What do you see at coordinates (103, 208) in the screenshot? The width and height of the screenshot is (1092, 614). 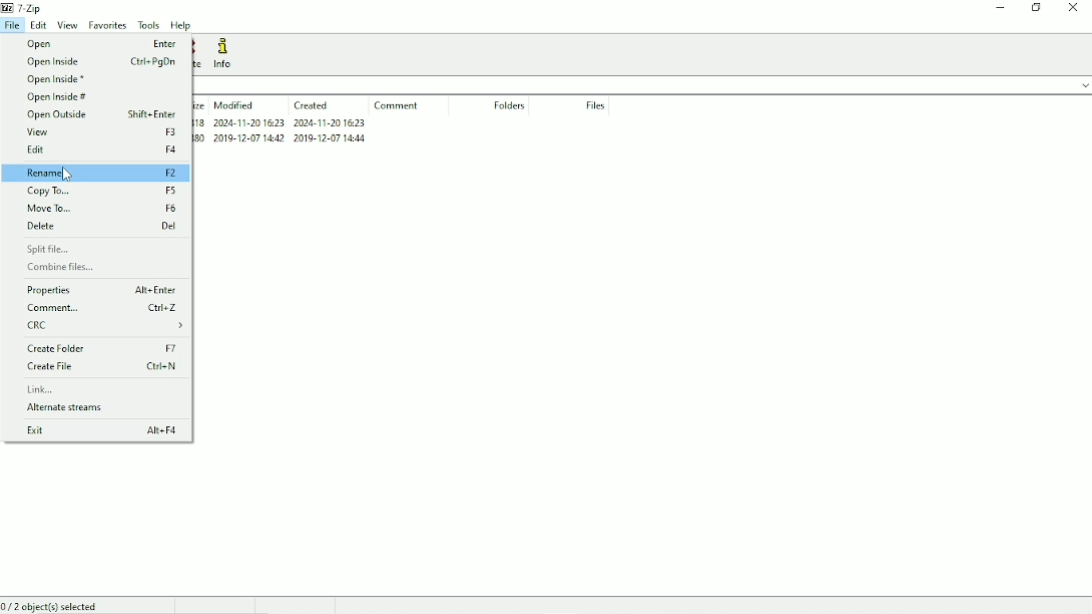 I see `Move To` at bounding box center [103, 208].